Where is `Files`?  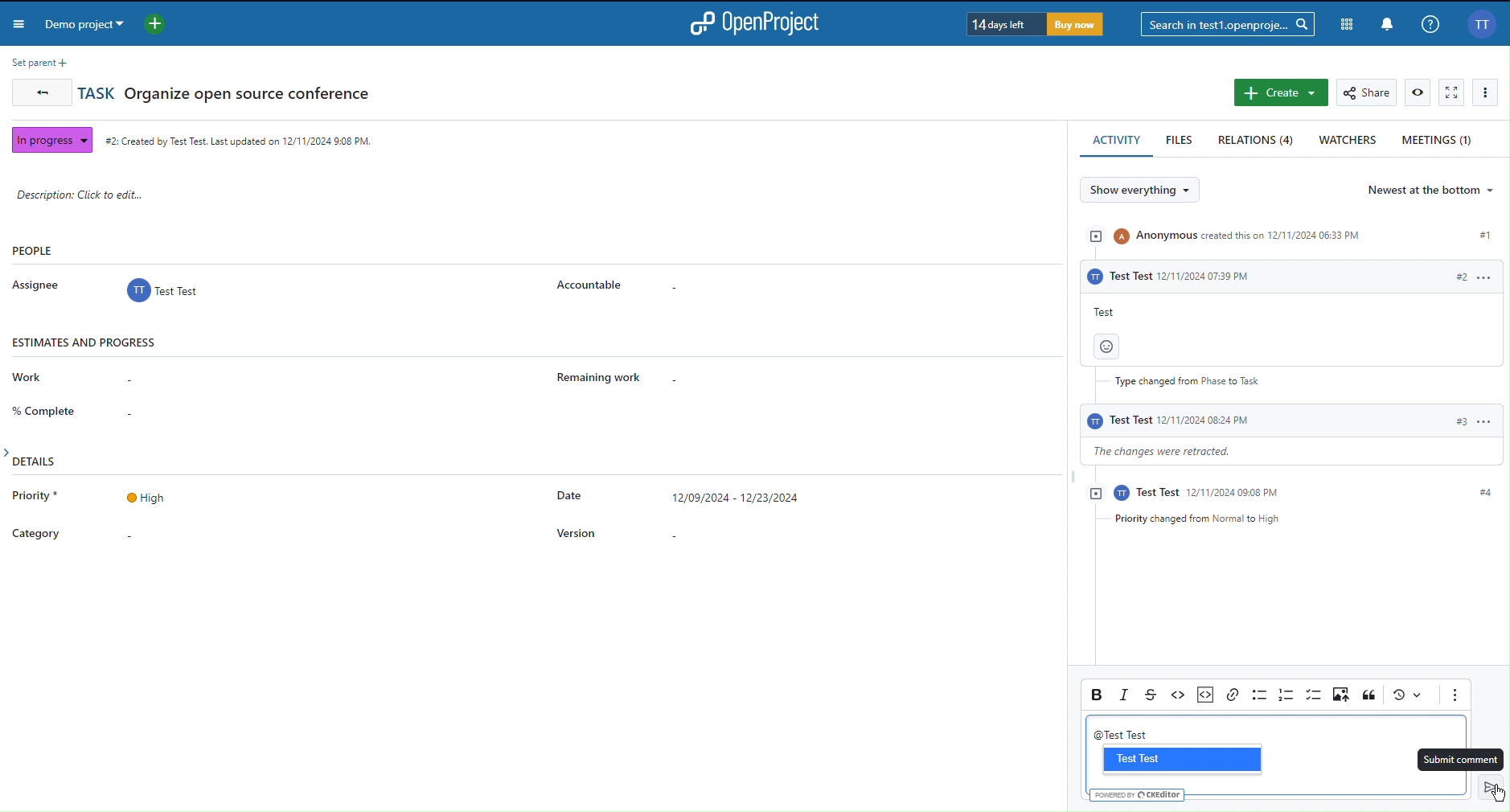
Files is located at coordinates (1181, 141).